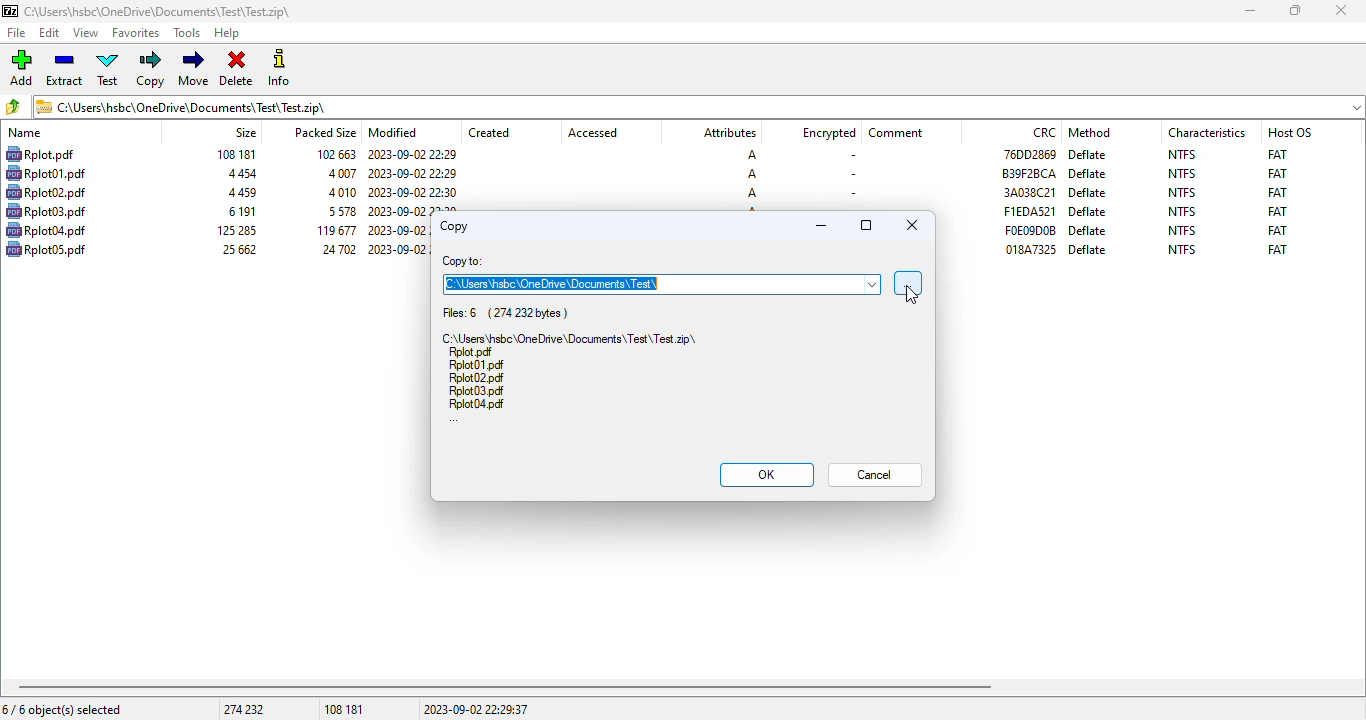 The image size is (1366, 720). I want to click on -, so click(850, 192).